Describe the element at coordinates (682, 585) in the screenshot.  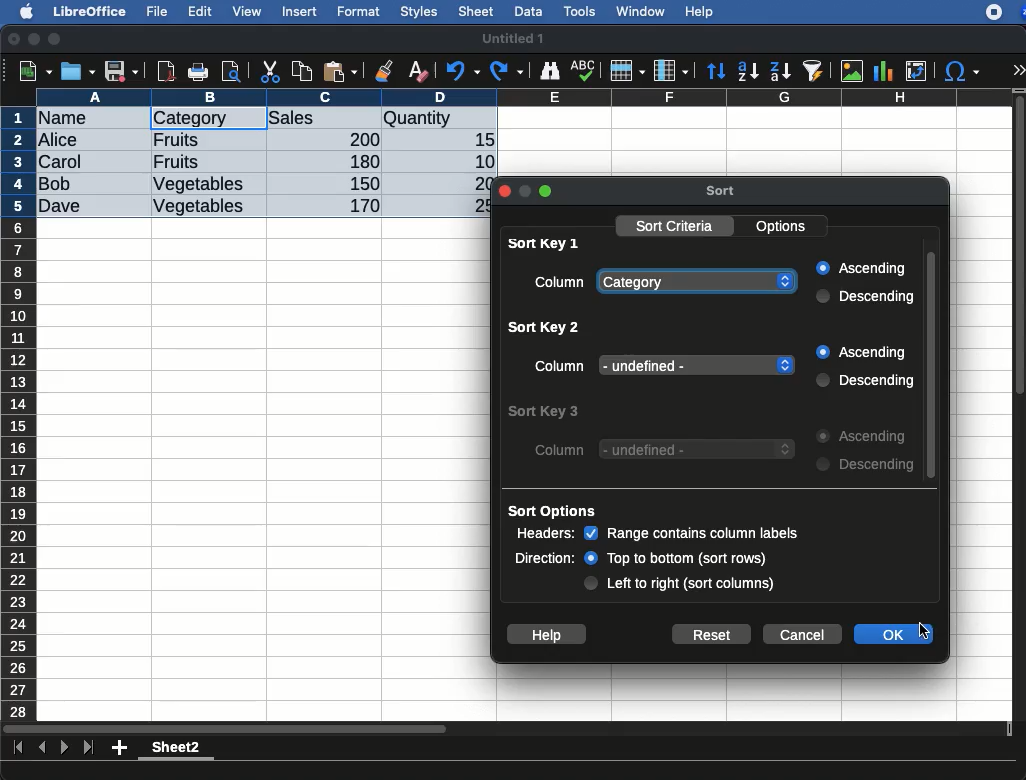
I see `left to right (sort columns)` at that location.